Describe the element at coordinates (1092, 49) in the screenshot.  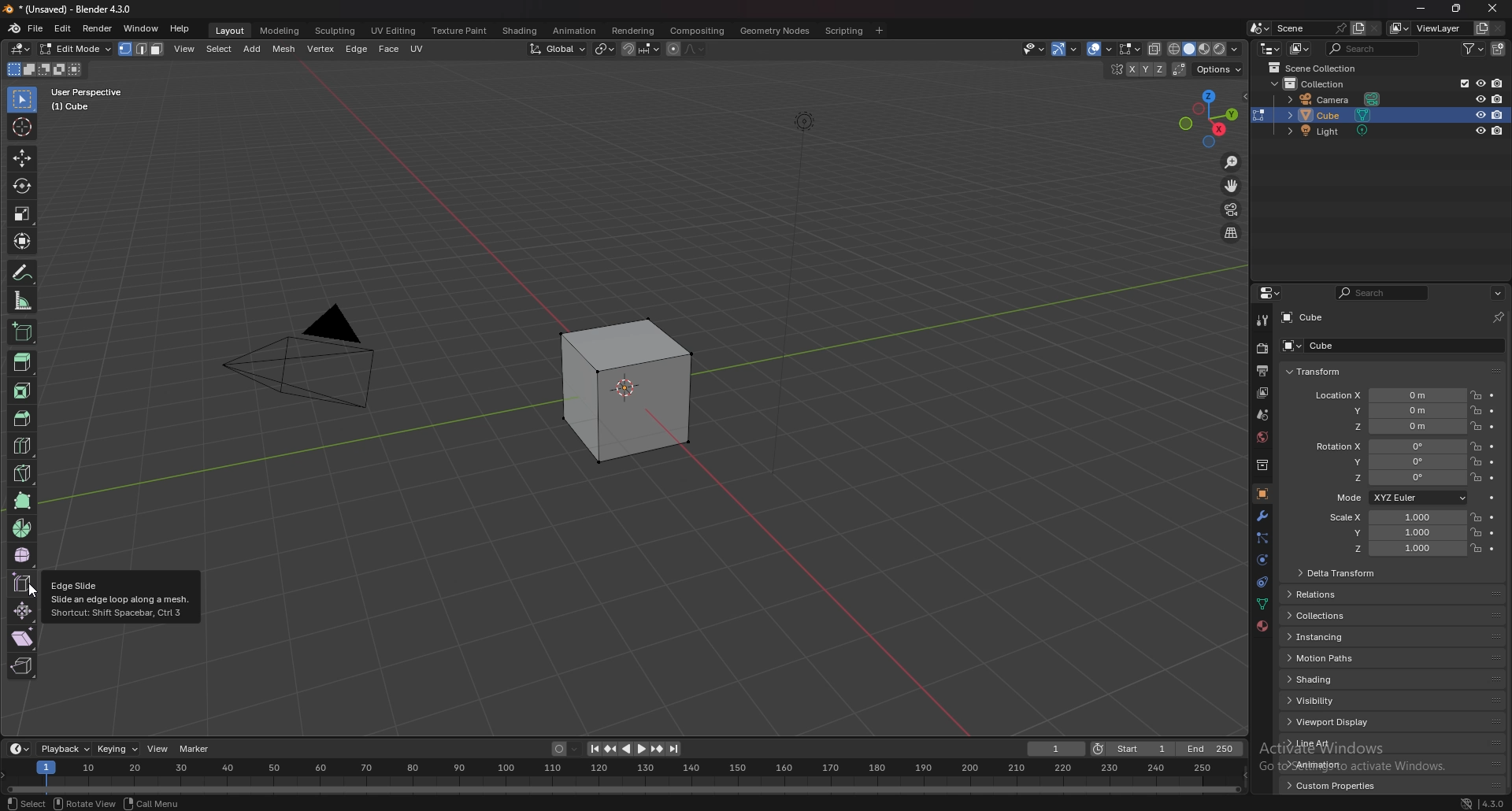
I see `show gizmo` at that location.